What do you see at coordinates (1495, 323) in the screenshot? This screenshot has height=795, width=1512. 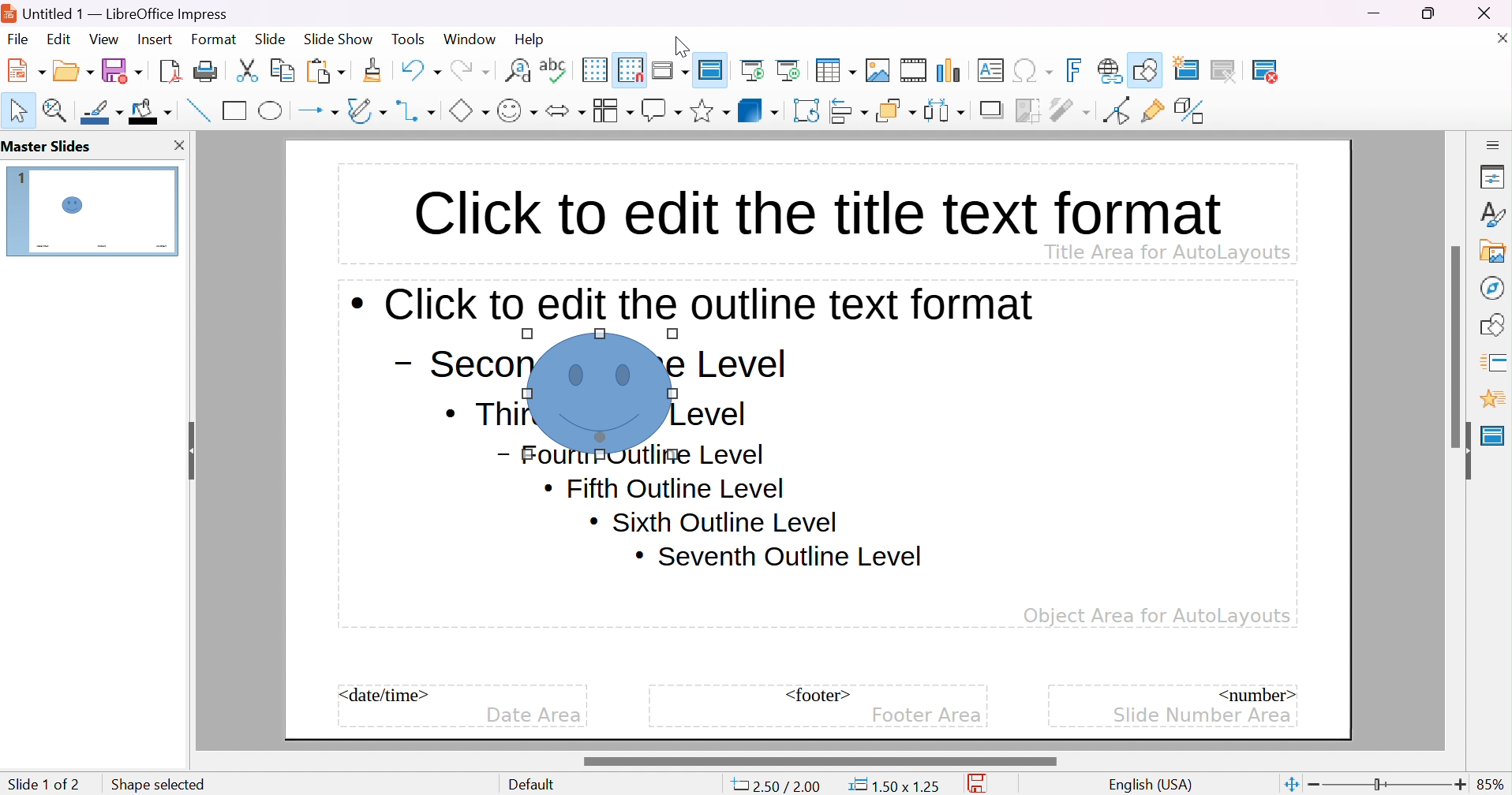 I see `shapes` at bounding box center [1495, 323].